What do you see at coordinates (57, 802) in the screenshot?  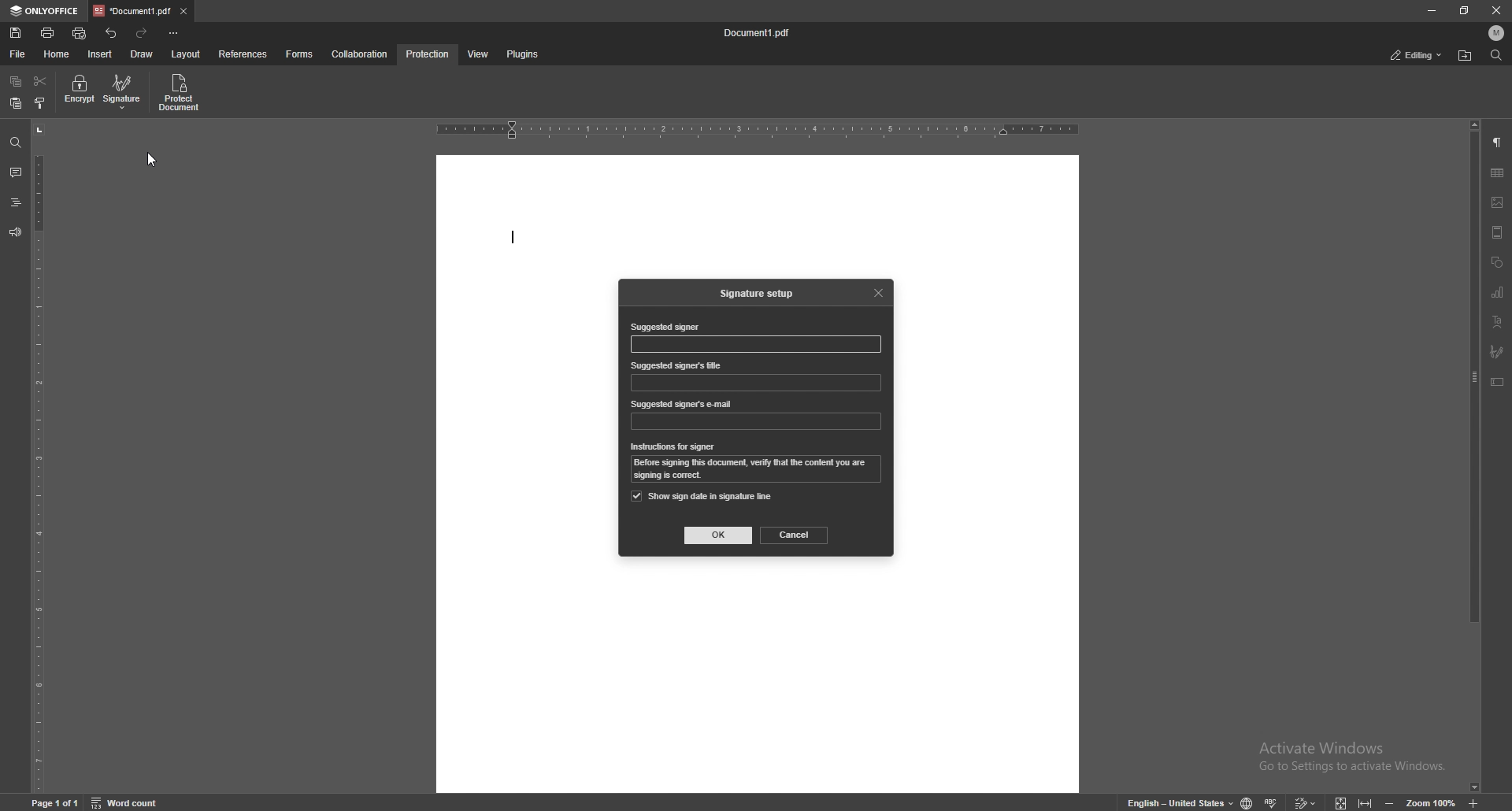 I see `page` at bounding box center [57, 802].